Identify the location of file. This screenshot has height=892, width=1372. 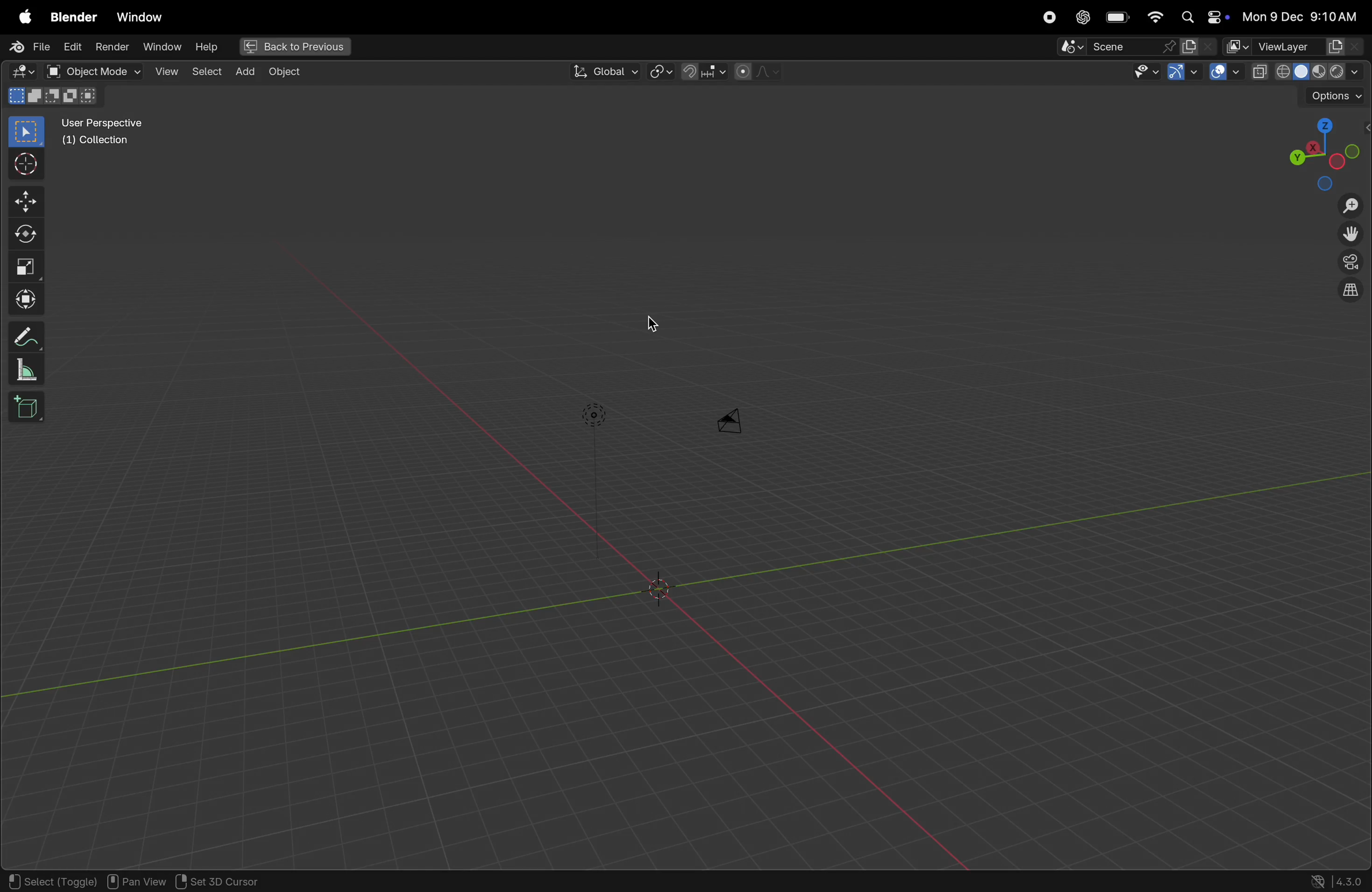
(27, 47).